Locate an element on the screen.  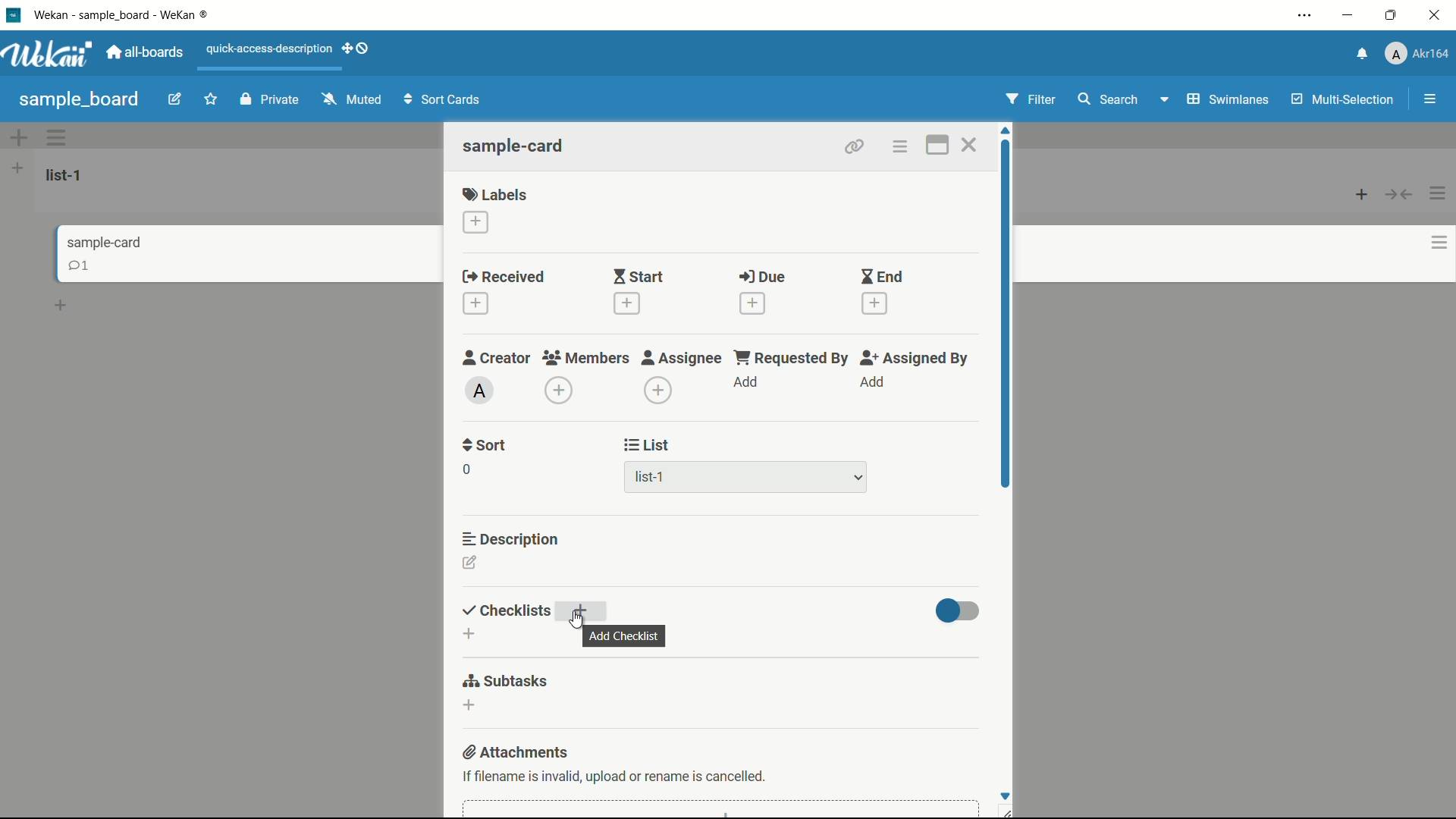
cursor is located at coordinates (576, 622).